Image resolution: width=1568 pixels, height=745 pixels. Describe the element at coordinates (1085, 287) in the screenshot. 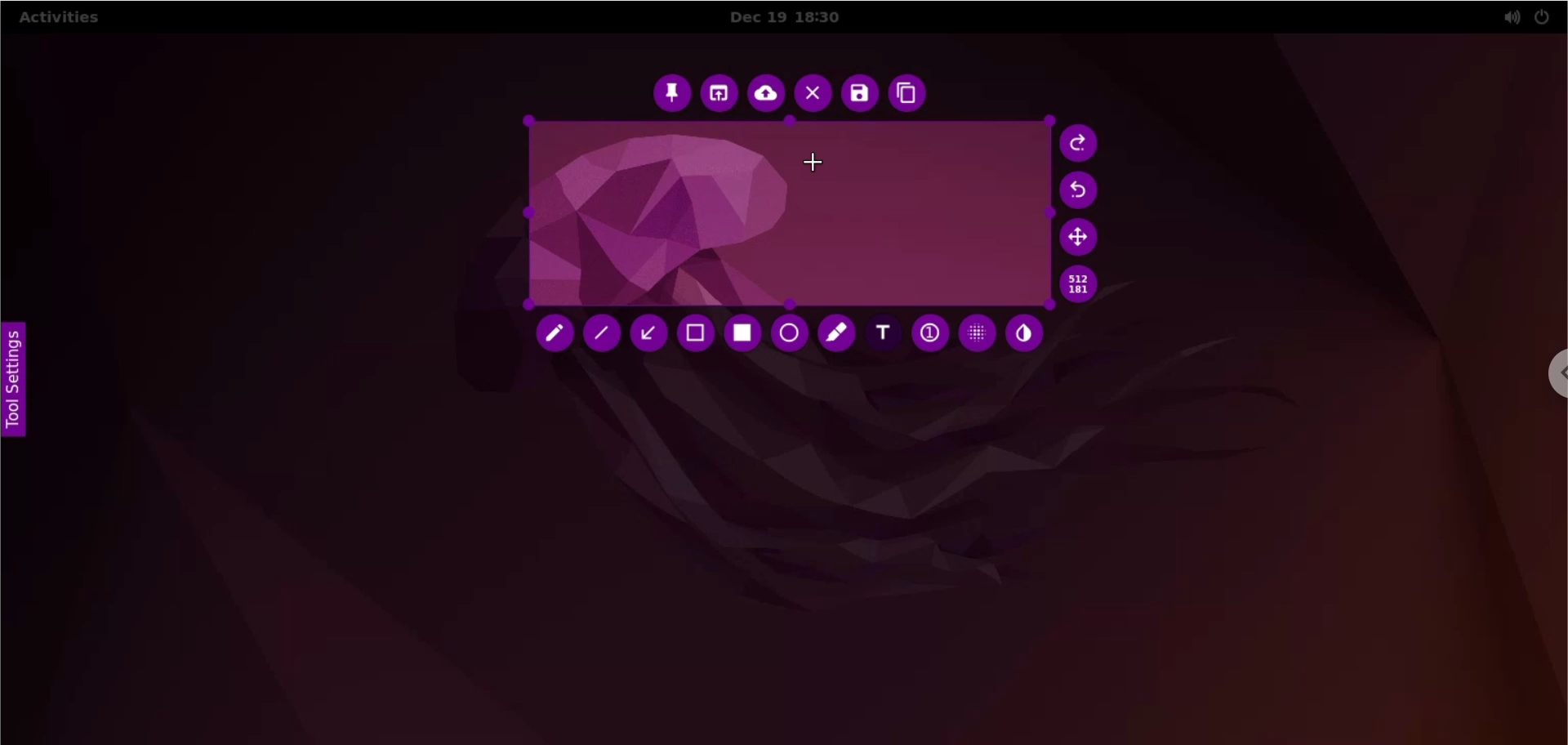

I see `x and y coordinates values` at that location.